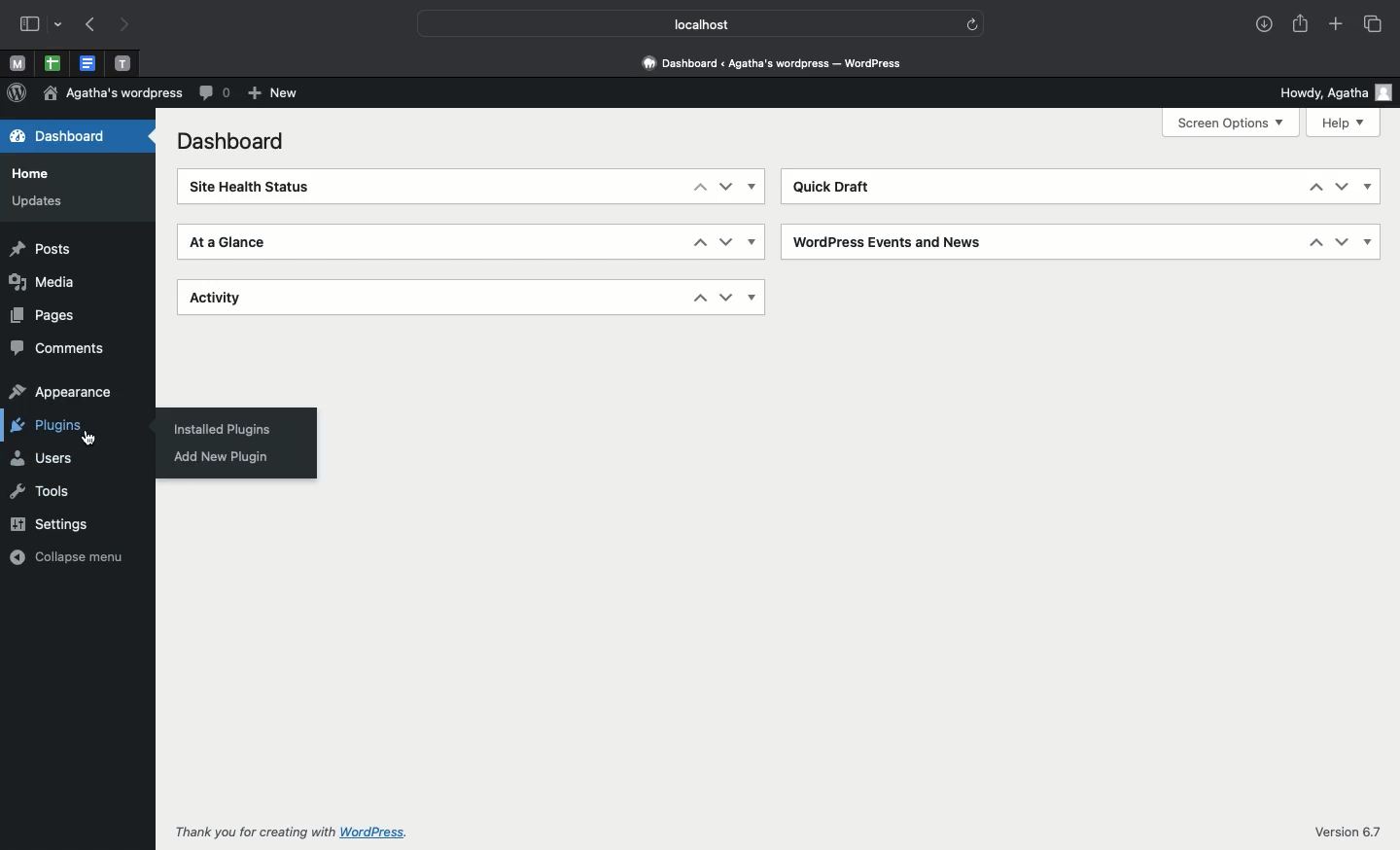 The image size is (1400, 850). I want to click on Site health status, so click(253, 188).